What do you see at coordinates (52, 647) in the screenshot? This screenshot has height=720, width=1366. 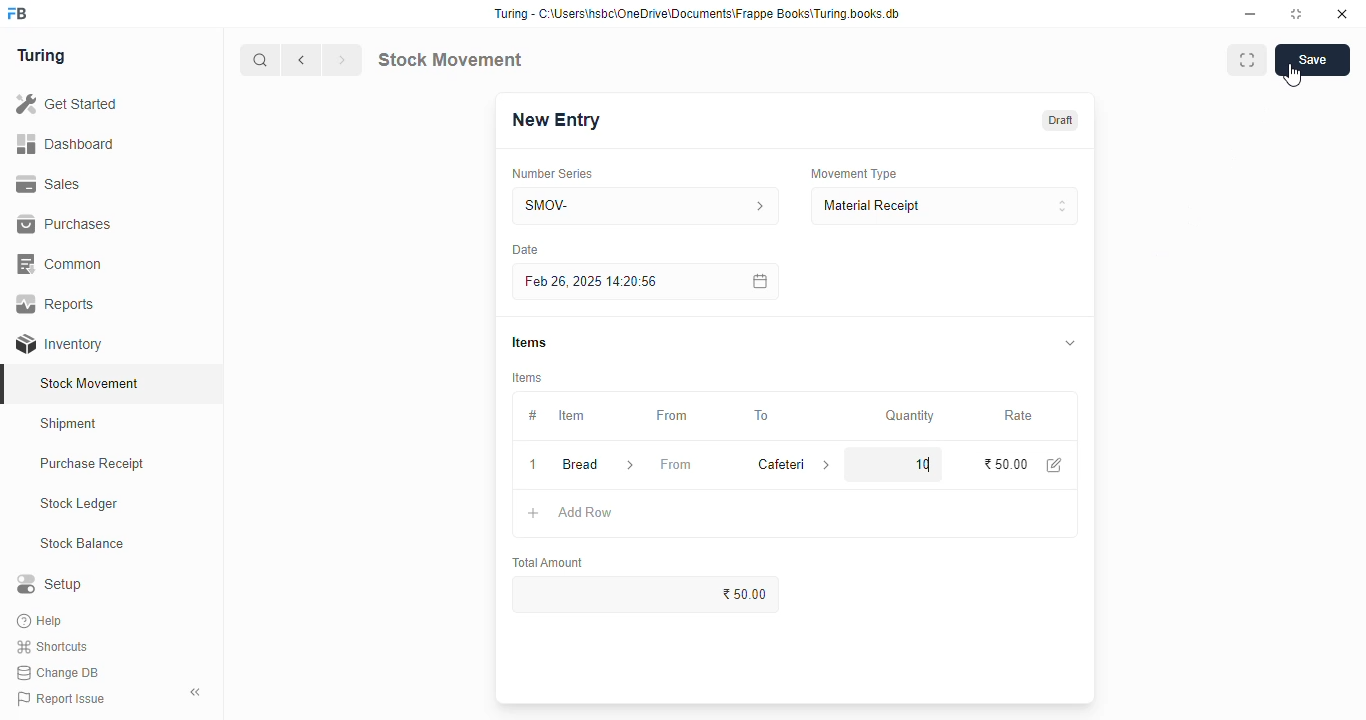 I see `shortcuts` at bounding box center [52, 647].